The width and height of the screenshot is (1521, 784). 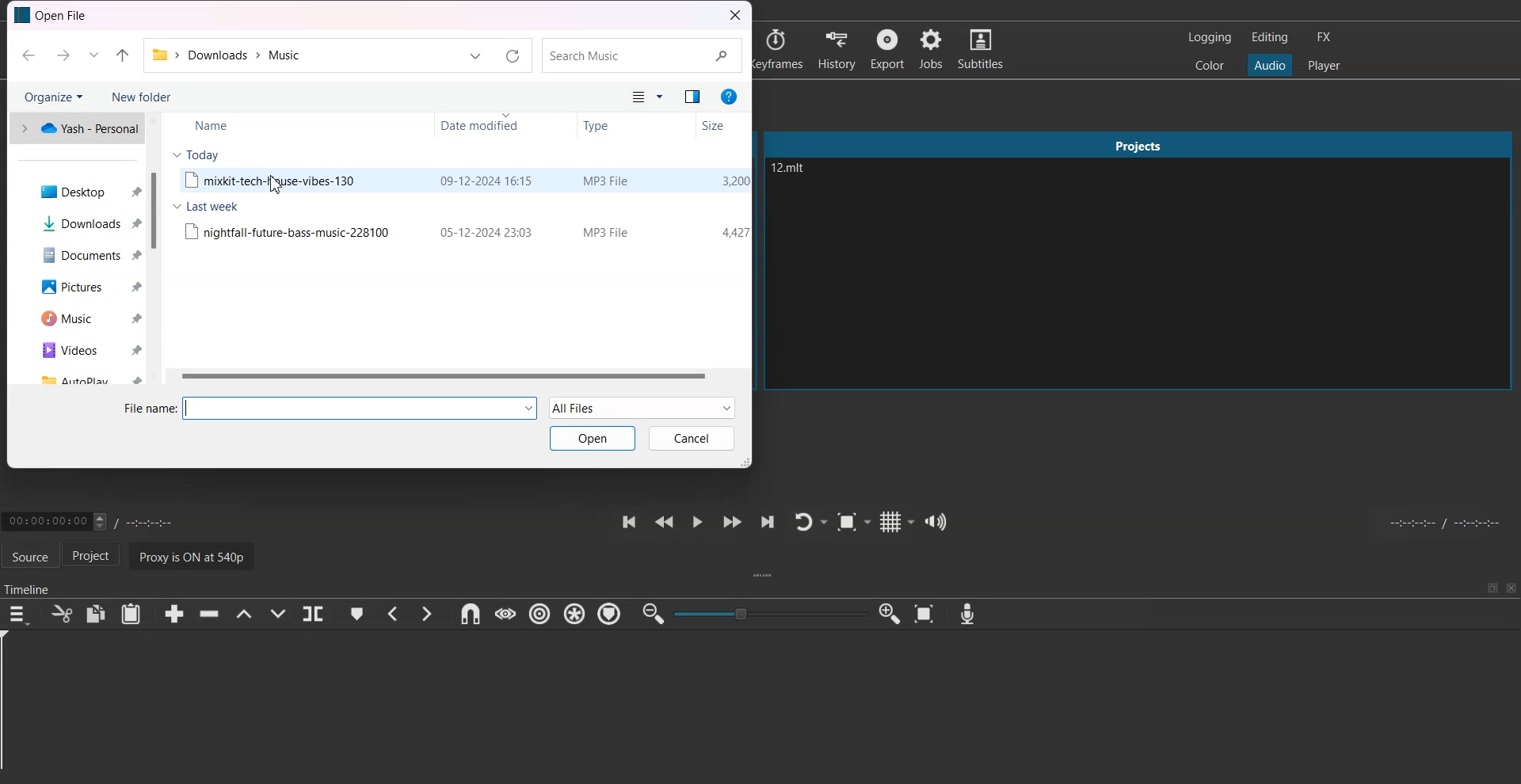 I want to click on Type, so click(x=634, y=126).